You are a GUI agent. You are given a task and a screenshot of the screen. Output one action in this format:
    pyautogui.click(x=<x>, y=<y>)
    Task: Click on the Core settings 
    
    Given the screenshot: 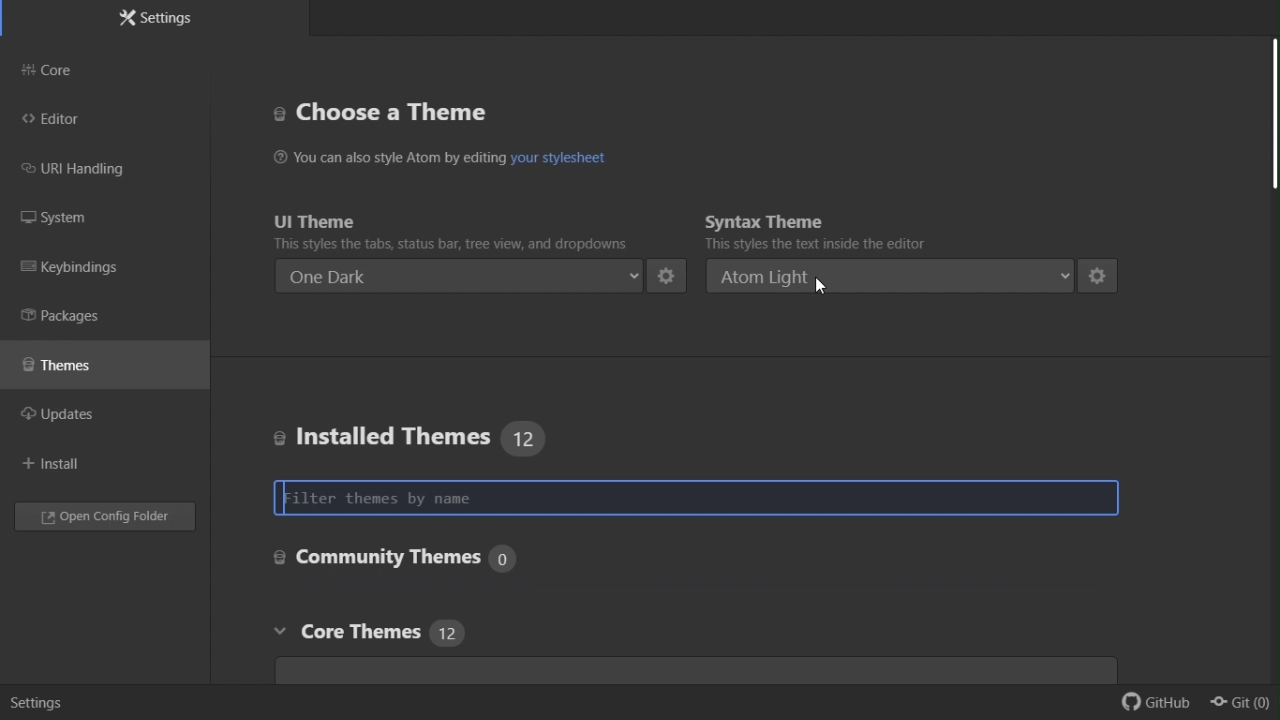 What is the action you would take?
    pyautogui.click(x=407, y=559)
    